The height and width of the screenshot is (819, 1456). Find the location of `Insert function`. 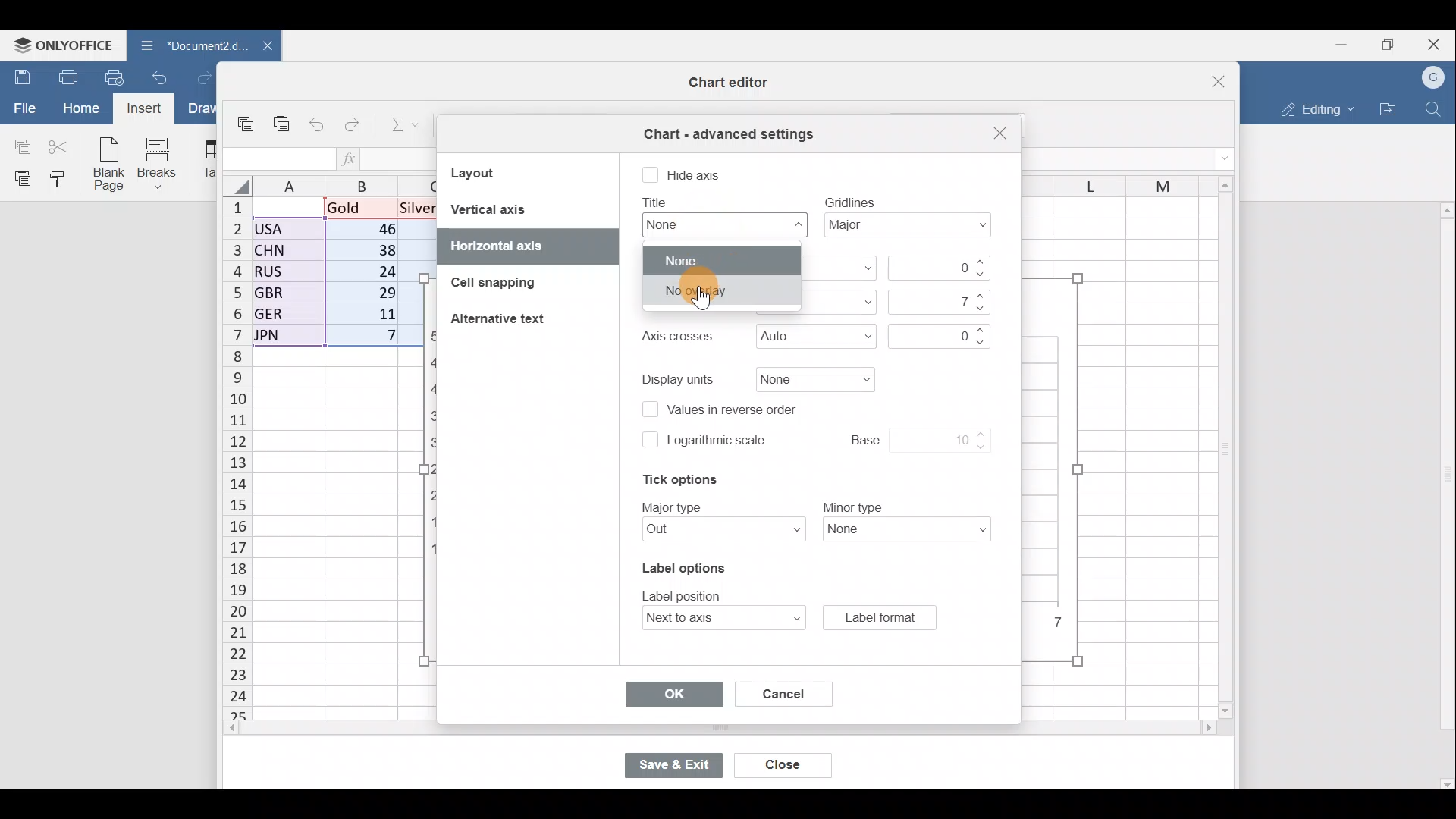

Insert function is located at coordinates (350, 158).